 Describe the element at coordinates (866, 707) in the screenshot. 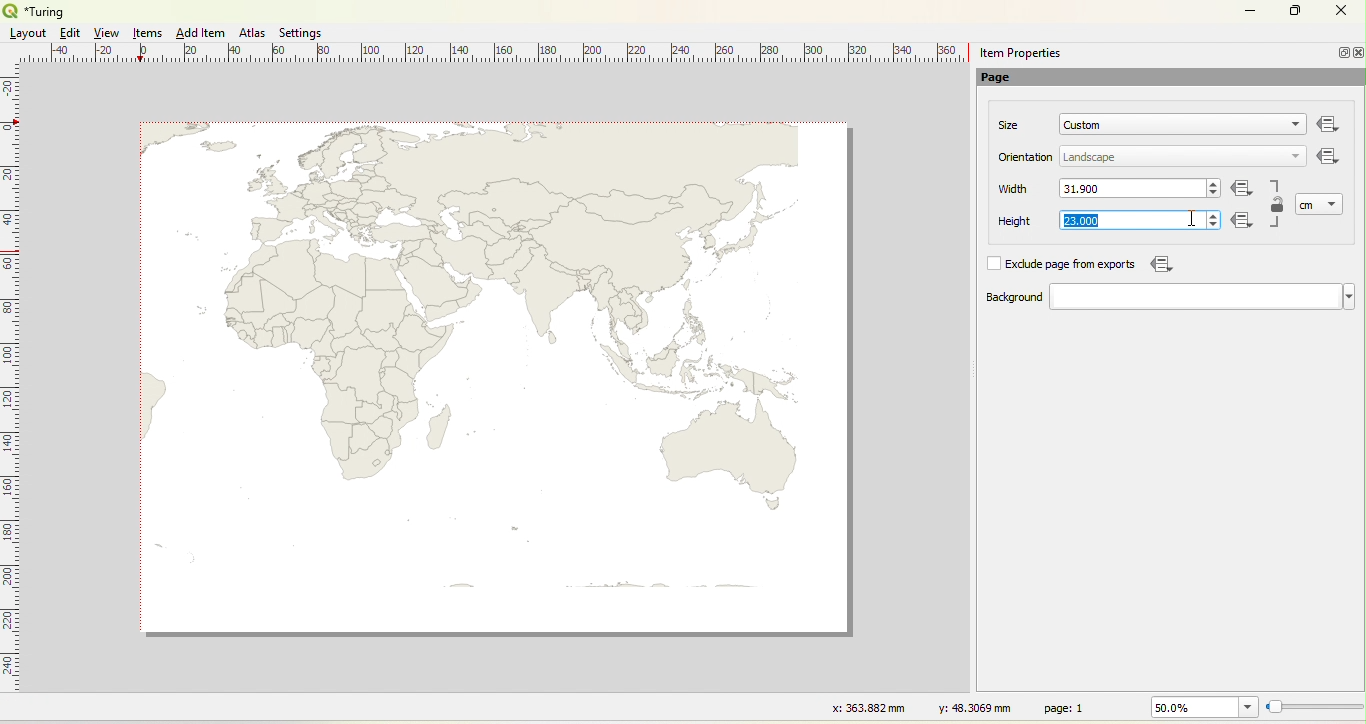

I see `x: 363.882 mm` at that location.